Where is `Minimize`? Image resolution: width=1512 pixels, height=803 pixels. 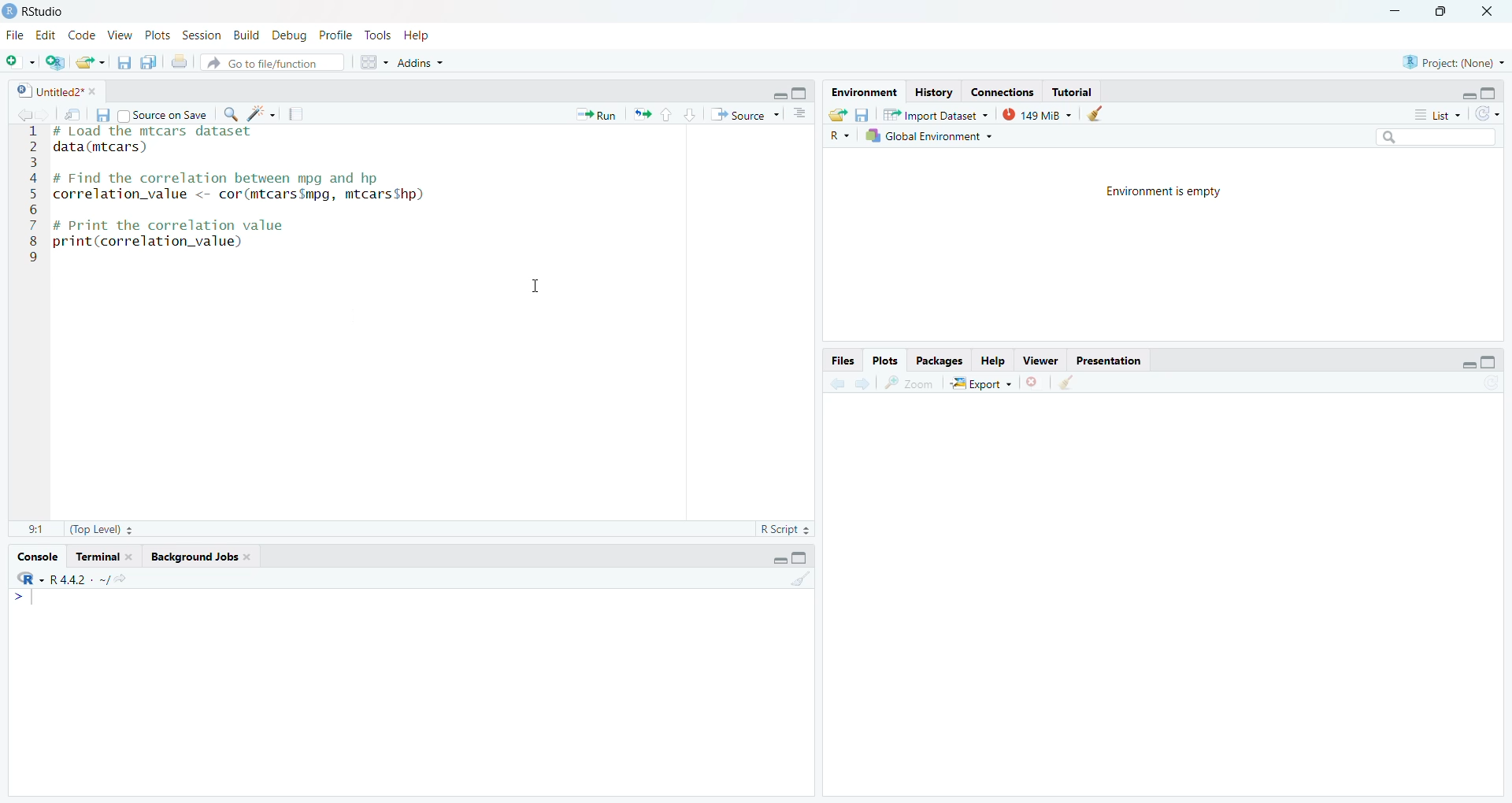
Minimize is located at coordinates (1465, 364).